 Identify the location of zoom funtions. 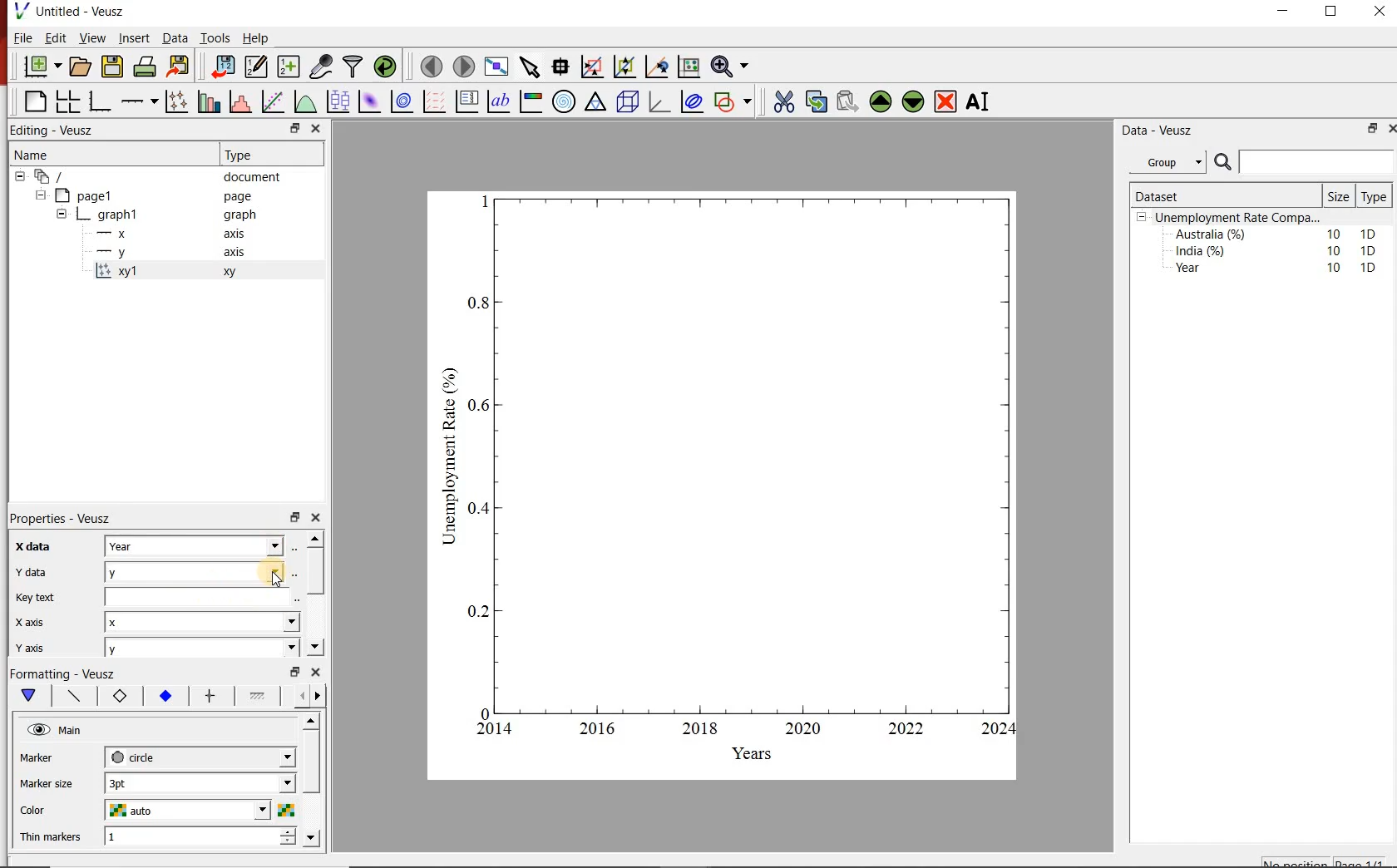
(733, 65).